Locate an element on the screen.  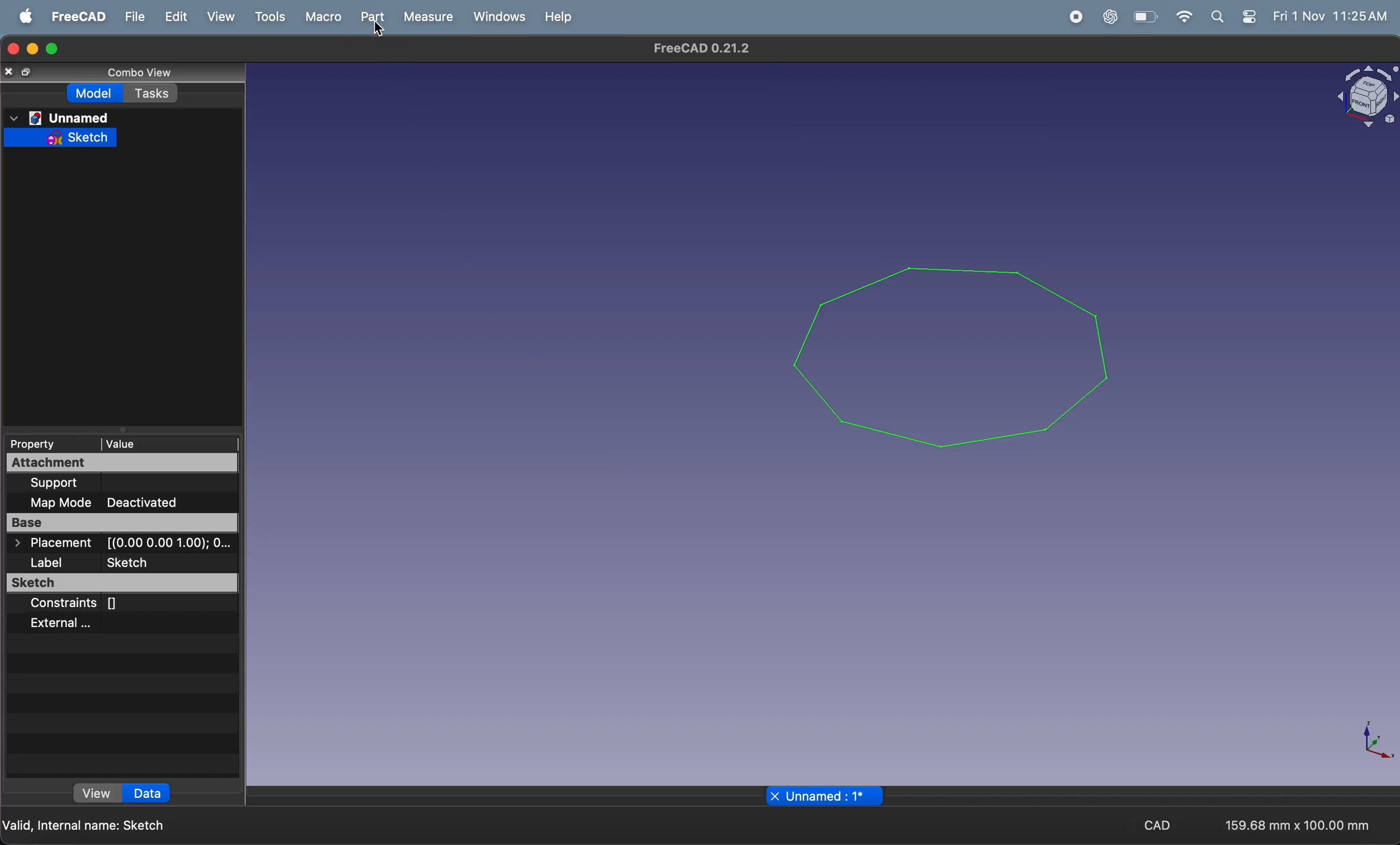
Deactivated is located at coordinates (144, 502).